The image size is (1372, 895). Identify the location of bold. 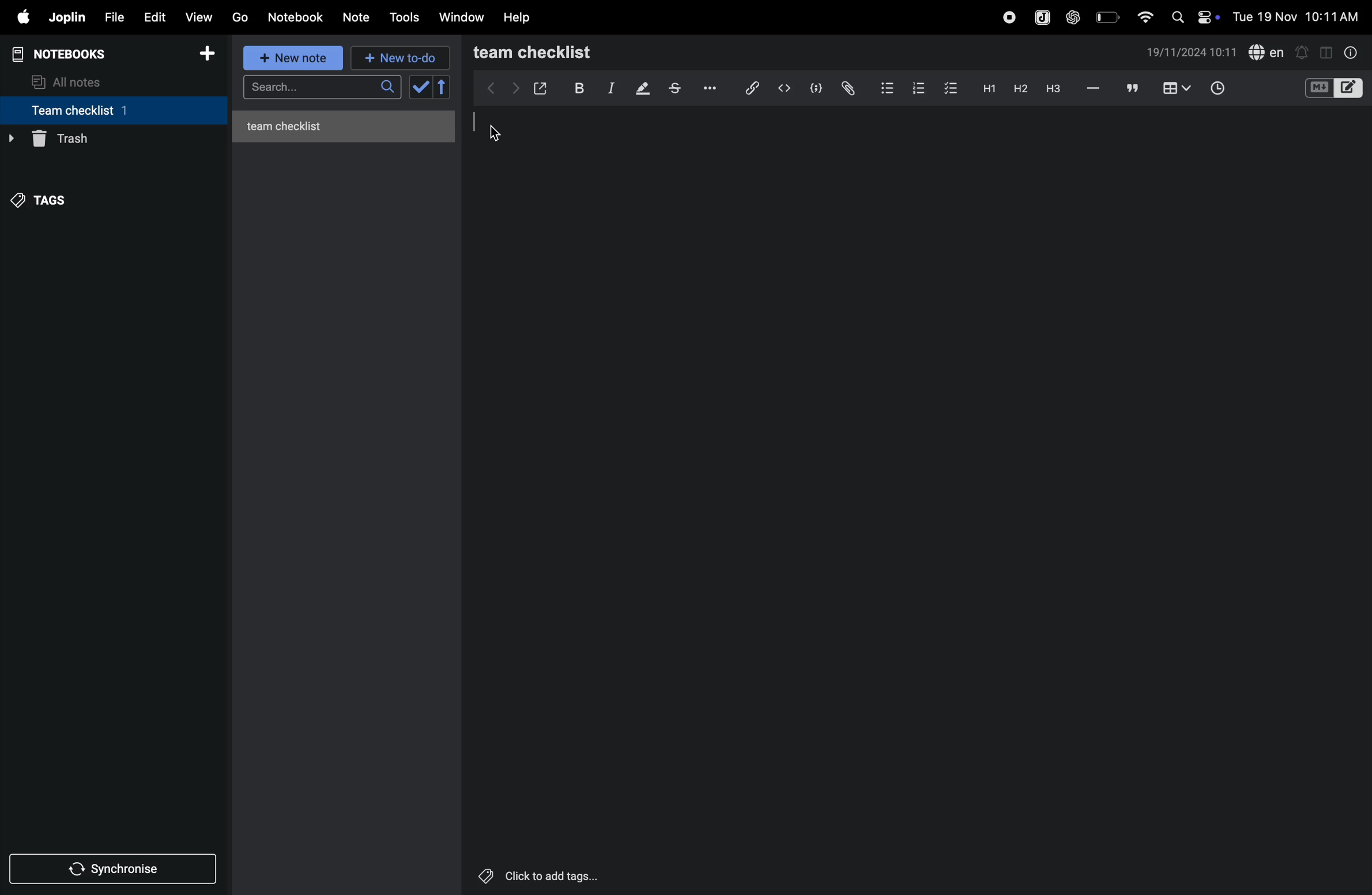
(578, 87).